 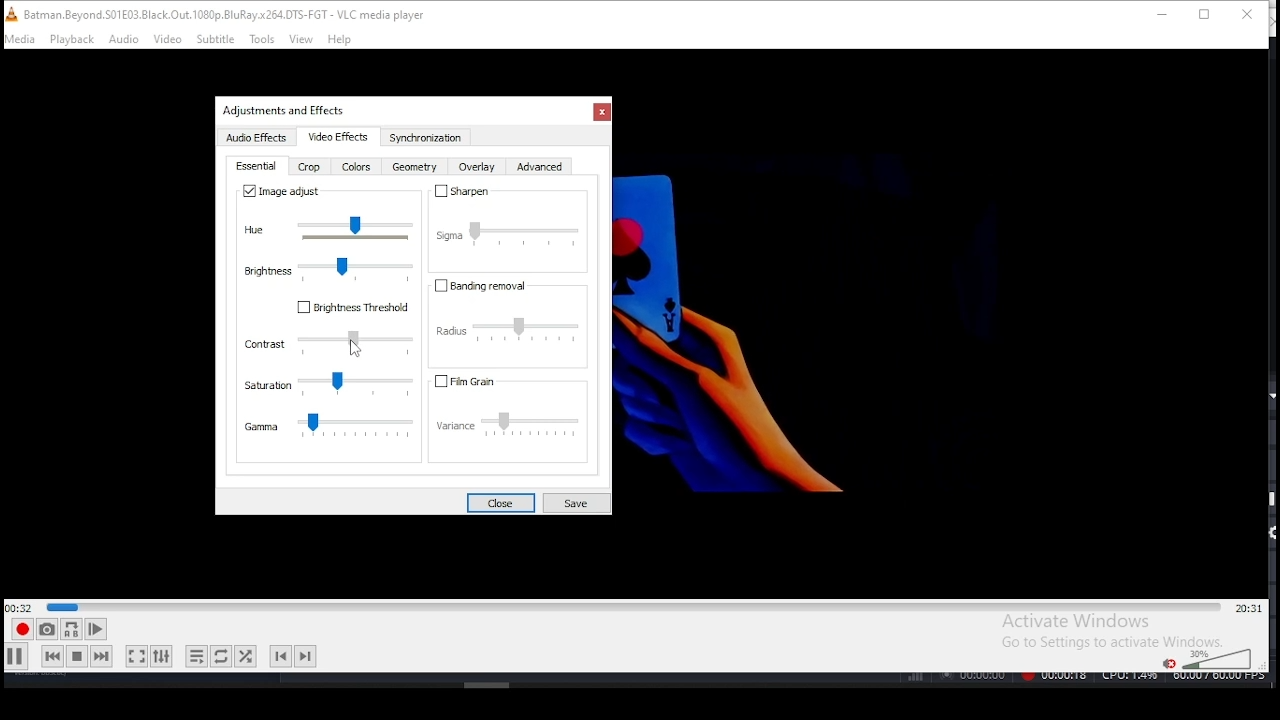 What do you see at coordinates (222, 13) in the screenshot?
I see `icon and filename` at bounding box center [222, 13].